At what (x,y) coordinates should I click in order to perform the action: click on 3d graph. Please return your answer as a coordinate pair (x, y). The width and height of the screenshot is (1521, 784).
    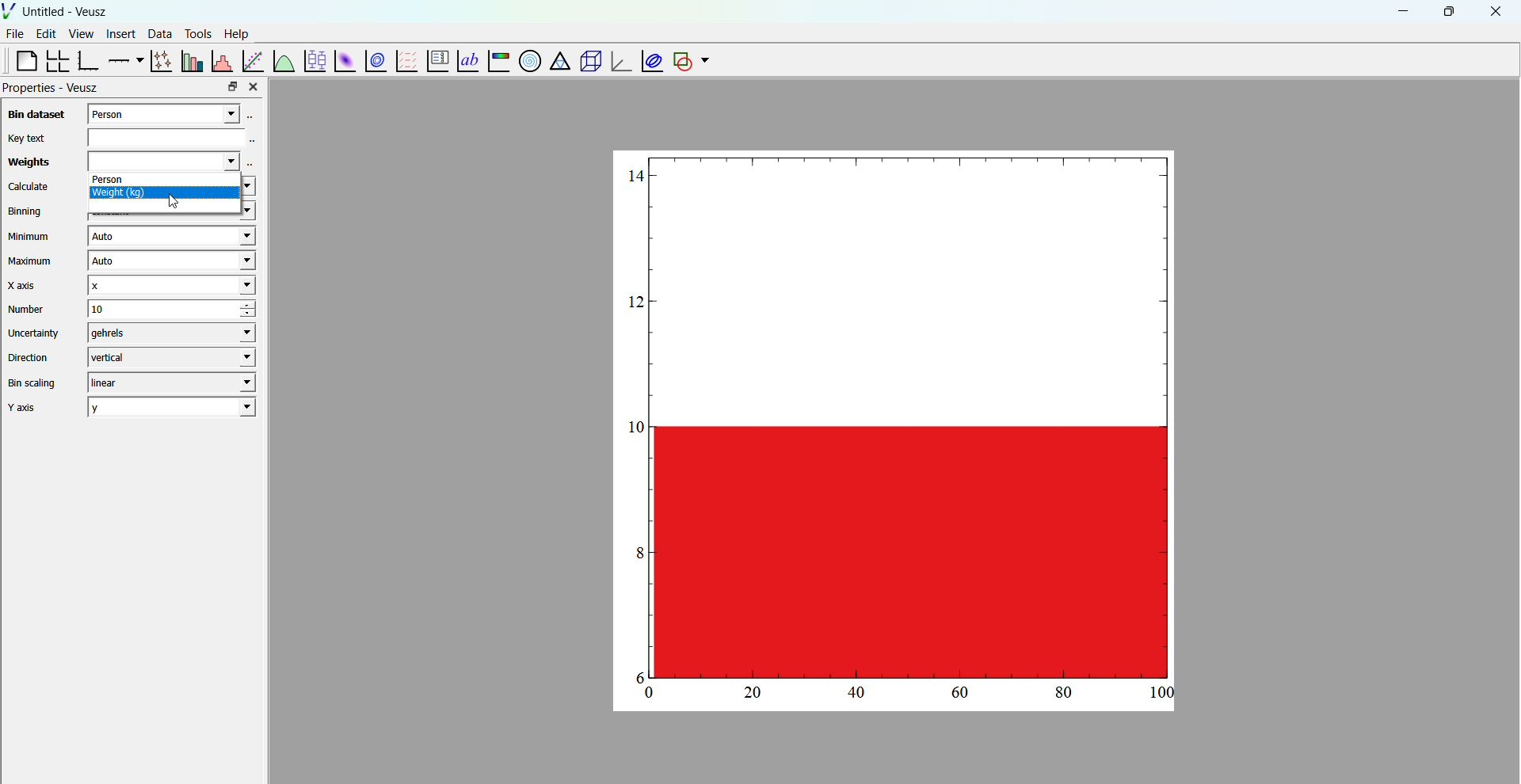
    Looking at the image, I should click on (619, 63).